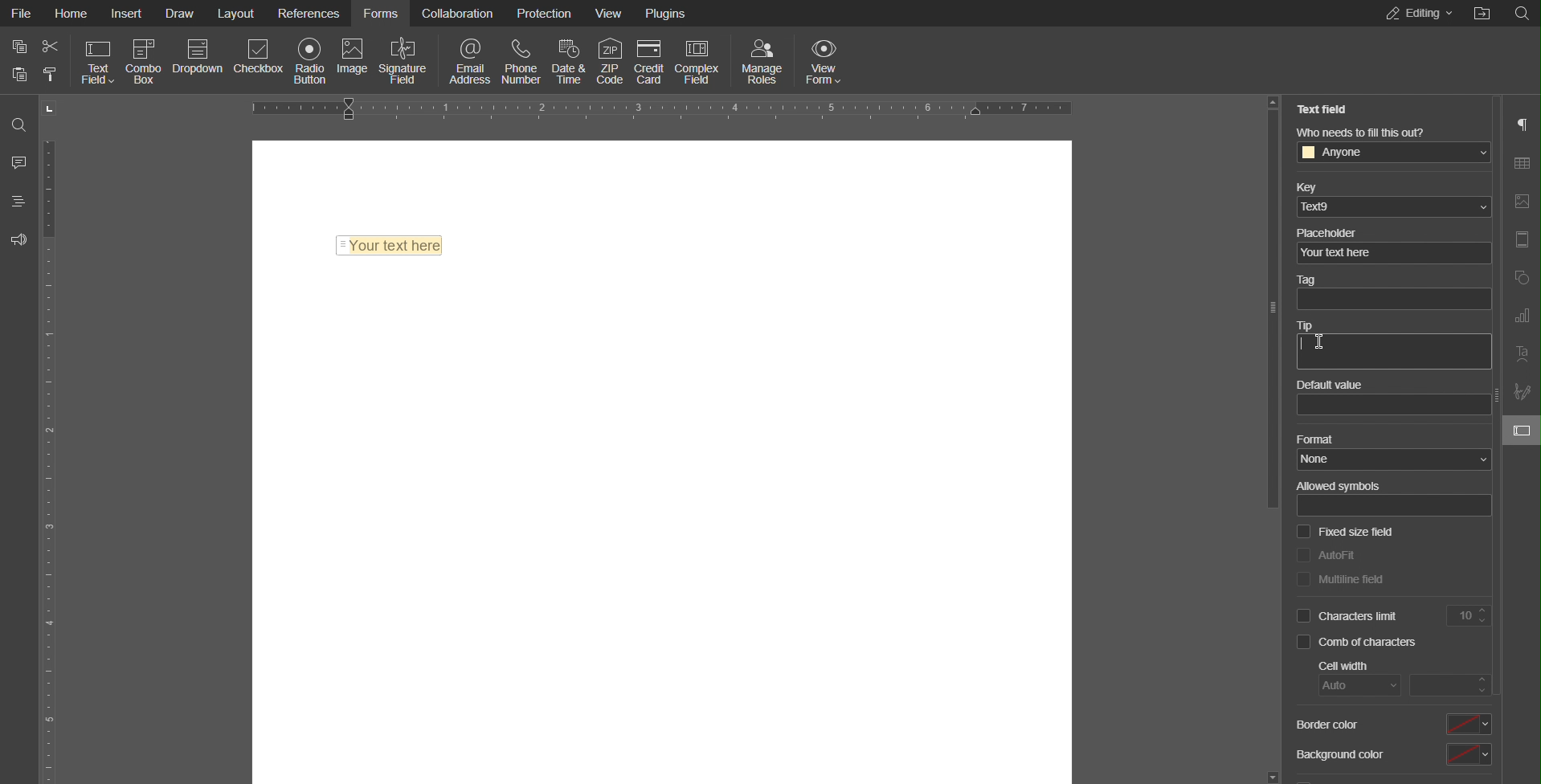 Image resolution: width=1541 pixels, height=784 pixels. I want to click on anyone, so click(1396, 153).